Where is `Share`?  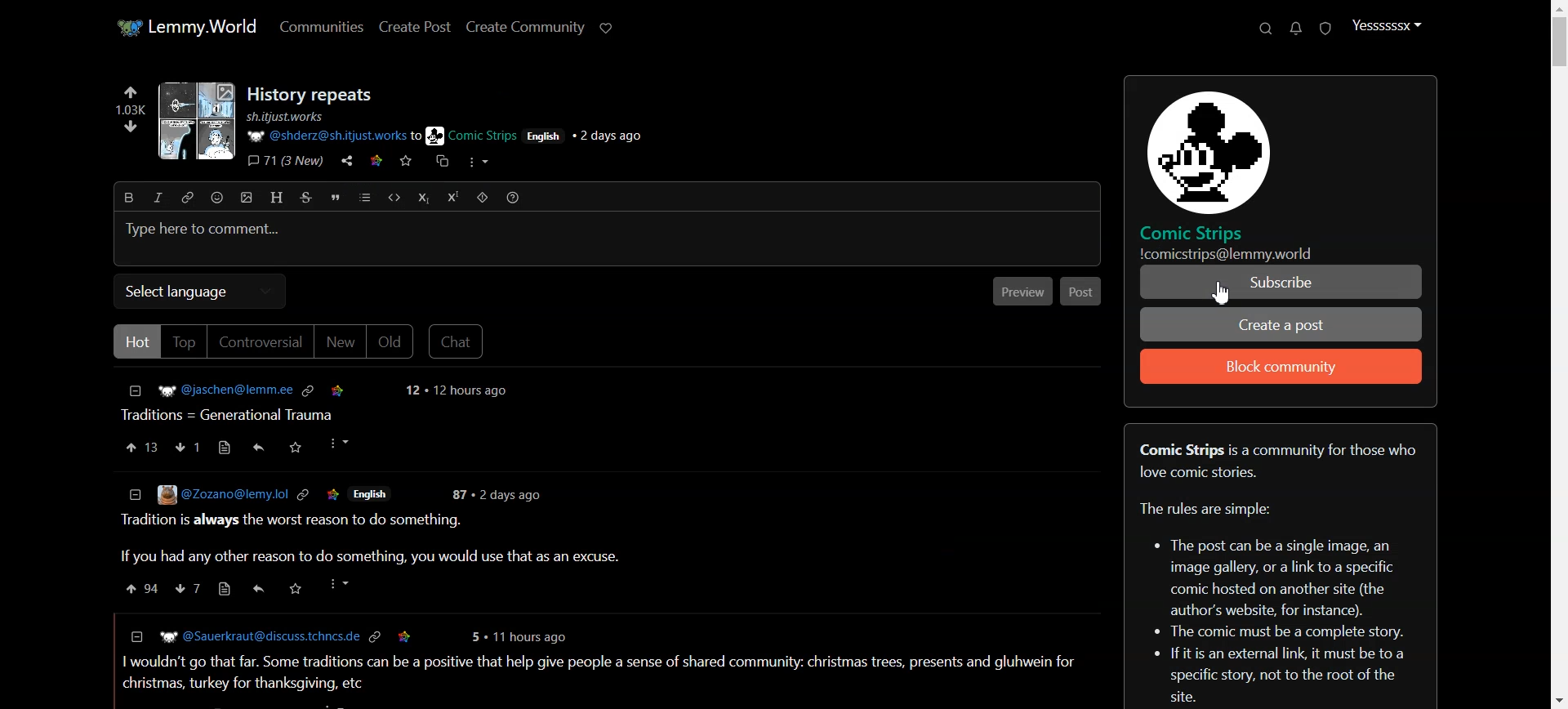 Share is located at coordinates (255, 588).